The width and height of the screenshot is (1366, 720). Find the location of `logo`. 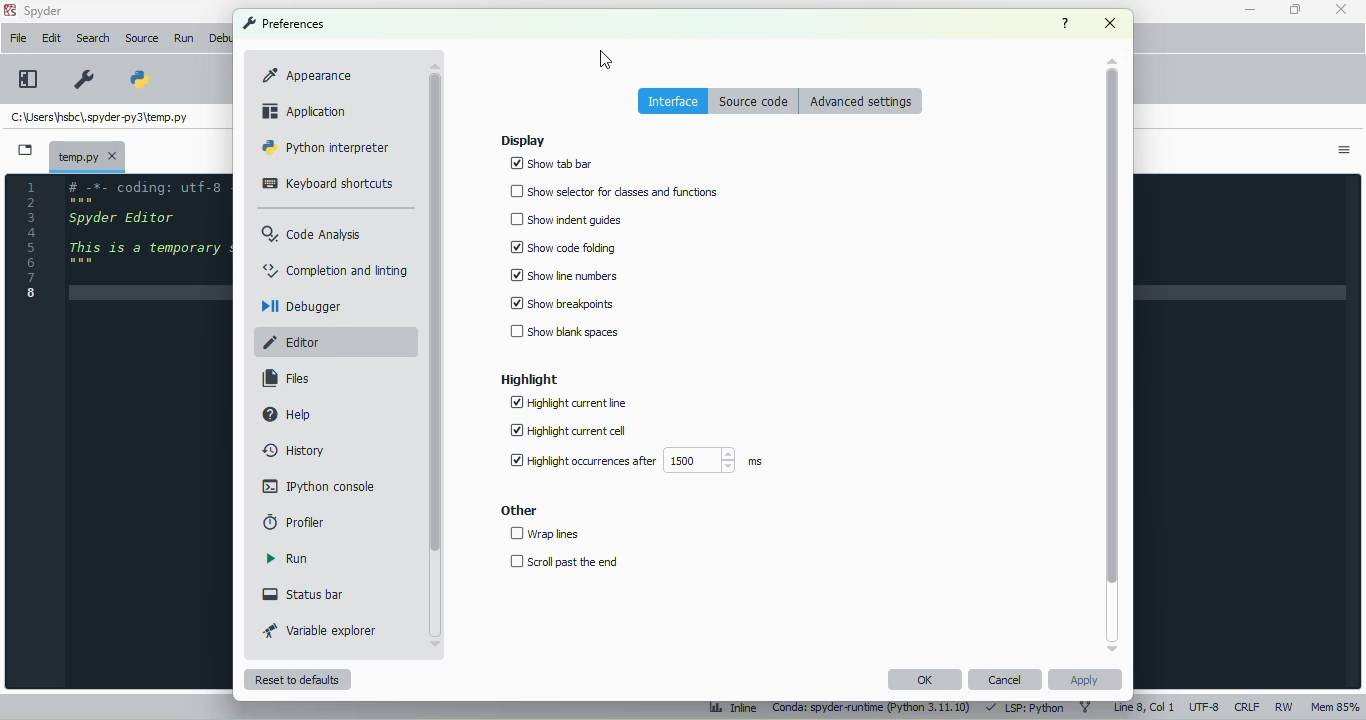

logo is located at coordinates (9, 10).